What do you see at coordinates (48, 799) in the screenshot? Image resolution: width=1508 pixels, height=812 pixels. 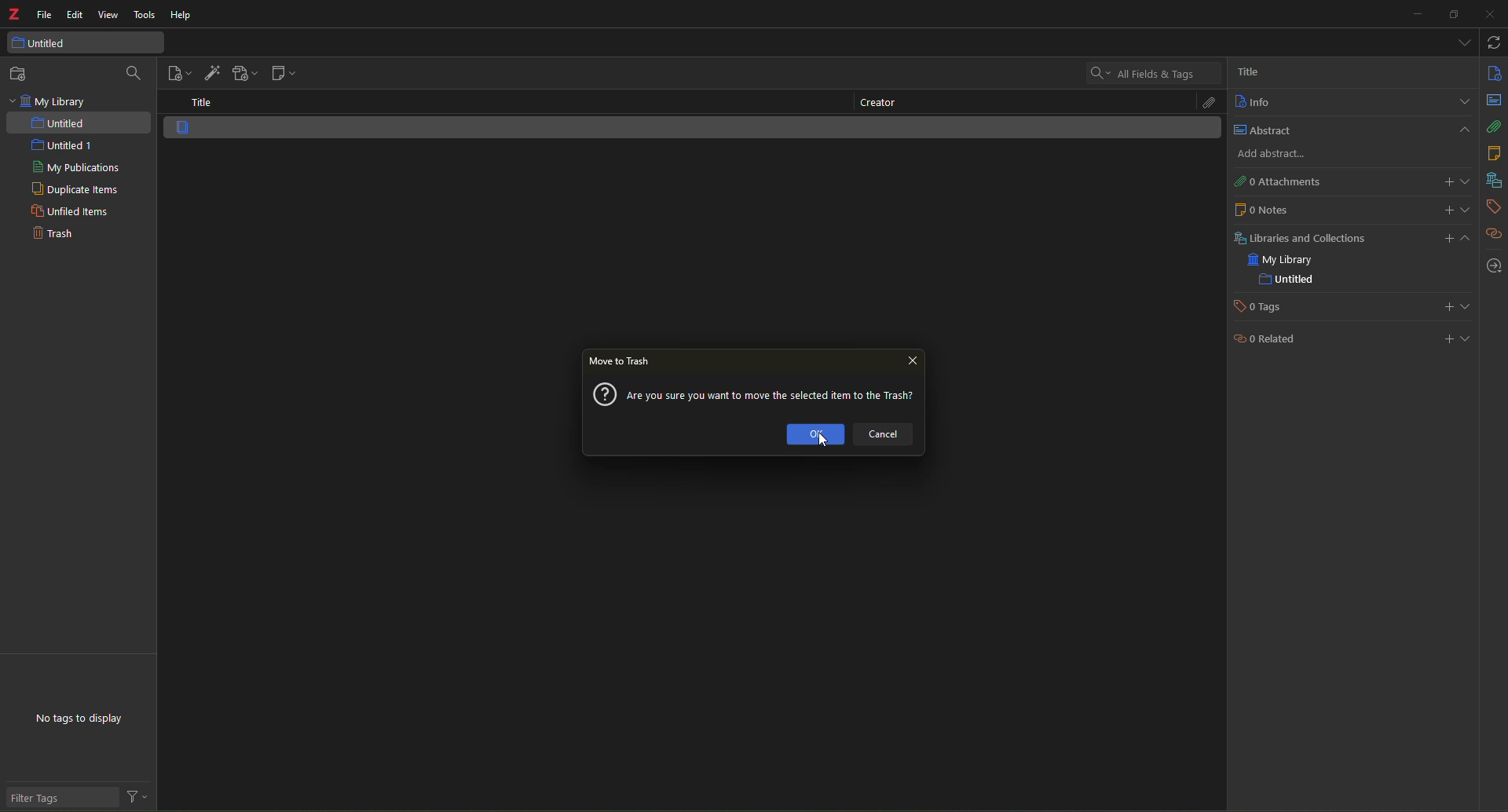 I see `filter tags` at bounding box center [48, 799].